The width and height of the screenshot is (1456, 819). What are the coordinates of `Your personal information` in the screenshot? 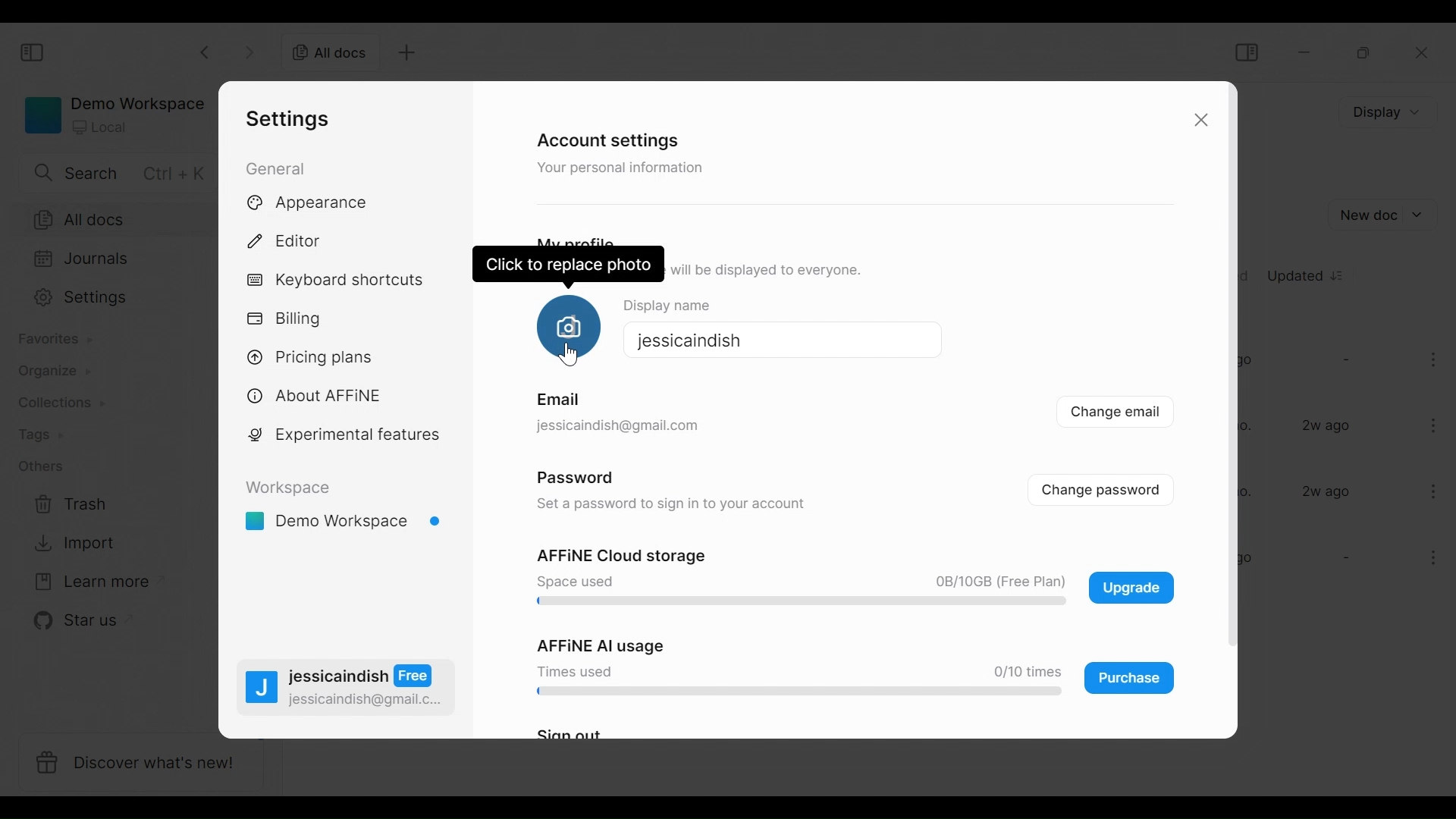 It's located at (625, 170).